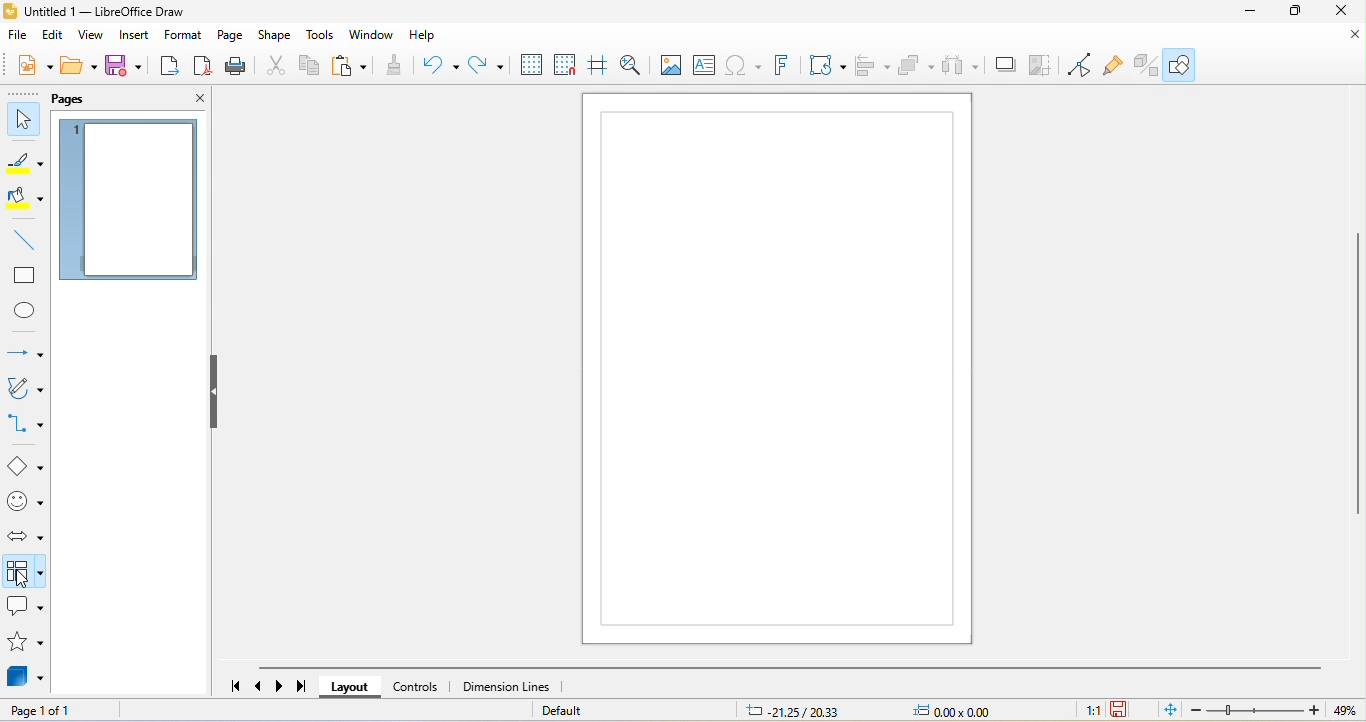 The height and width of the screenshot is (722, 1366). Describe the element at coordinates (1122, 710) in the screenshot. I see `the document has been modified.click to save the document` at that location.